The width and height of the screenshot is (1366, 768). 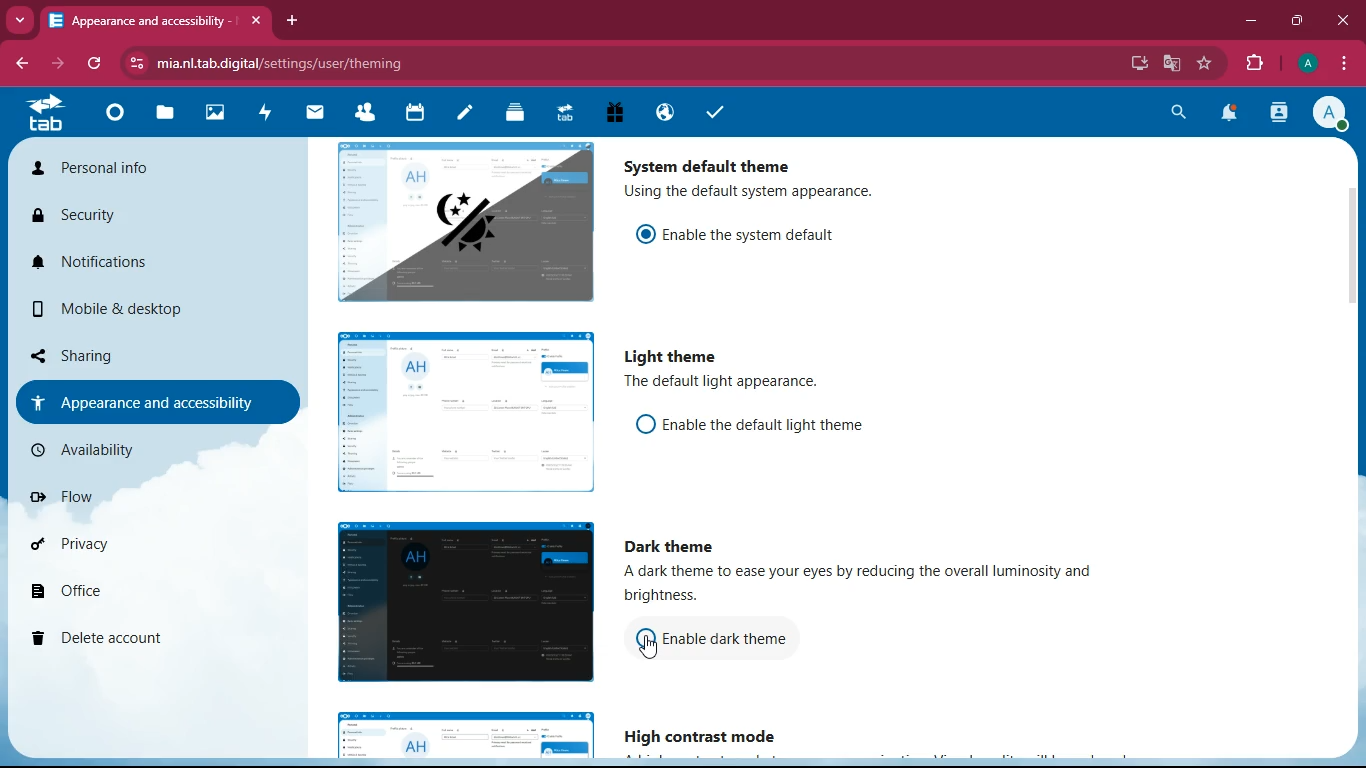 What do you see at coordinates (747, 640) in the screenshot?
I see `enable` at bounding box center [747, 640].